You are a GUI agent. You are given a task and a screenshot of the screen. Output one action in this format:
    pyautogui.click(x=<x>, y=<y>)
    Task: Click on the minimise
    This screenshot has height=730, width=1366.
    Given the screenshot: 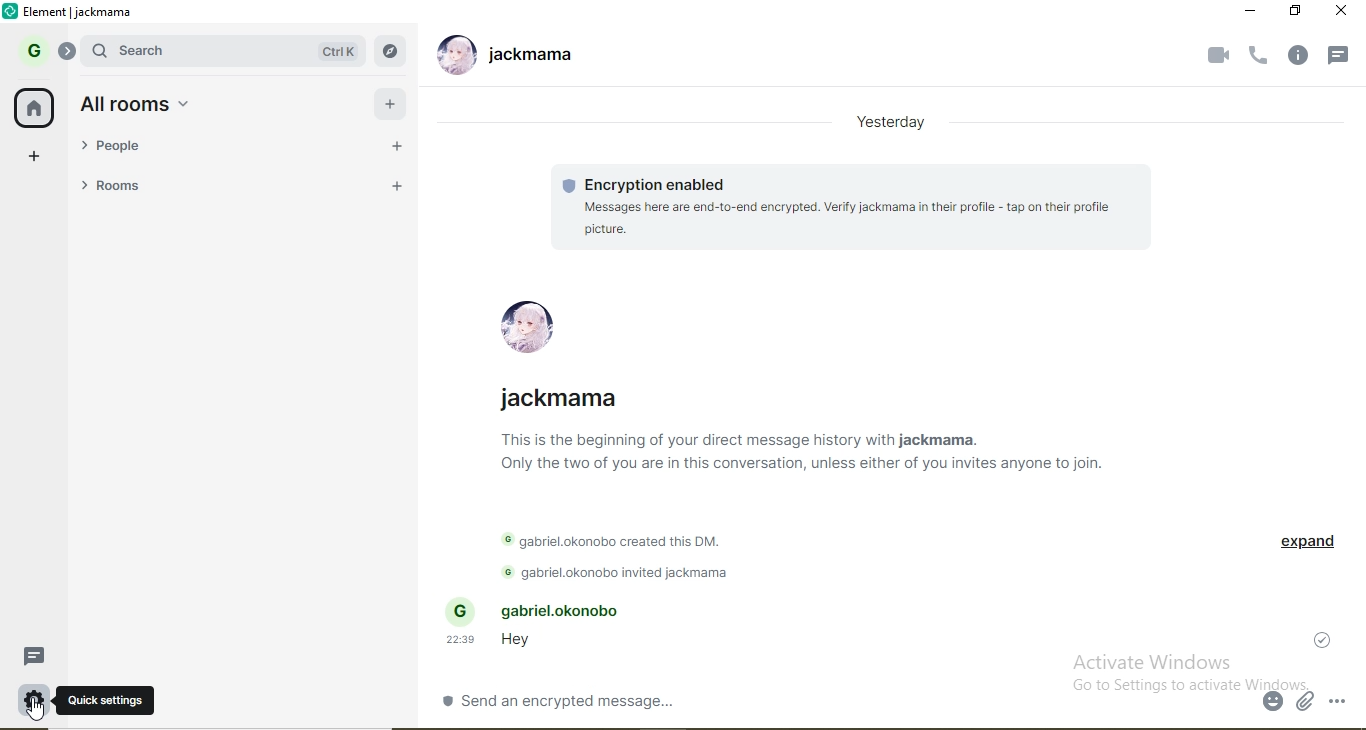 What is the action you would take?
    pyautogui.click(x=1251, y=12)
    